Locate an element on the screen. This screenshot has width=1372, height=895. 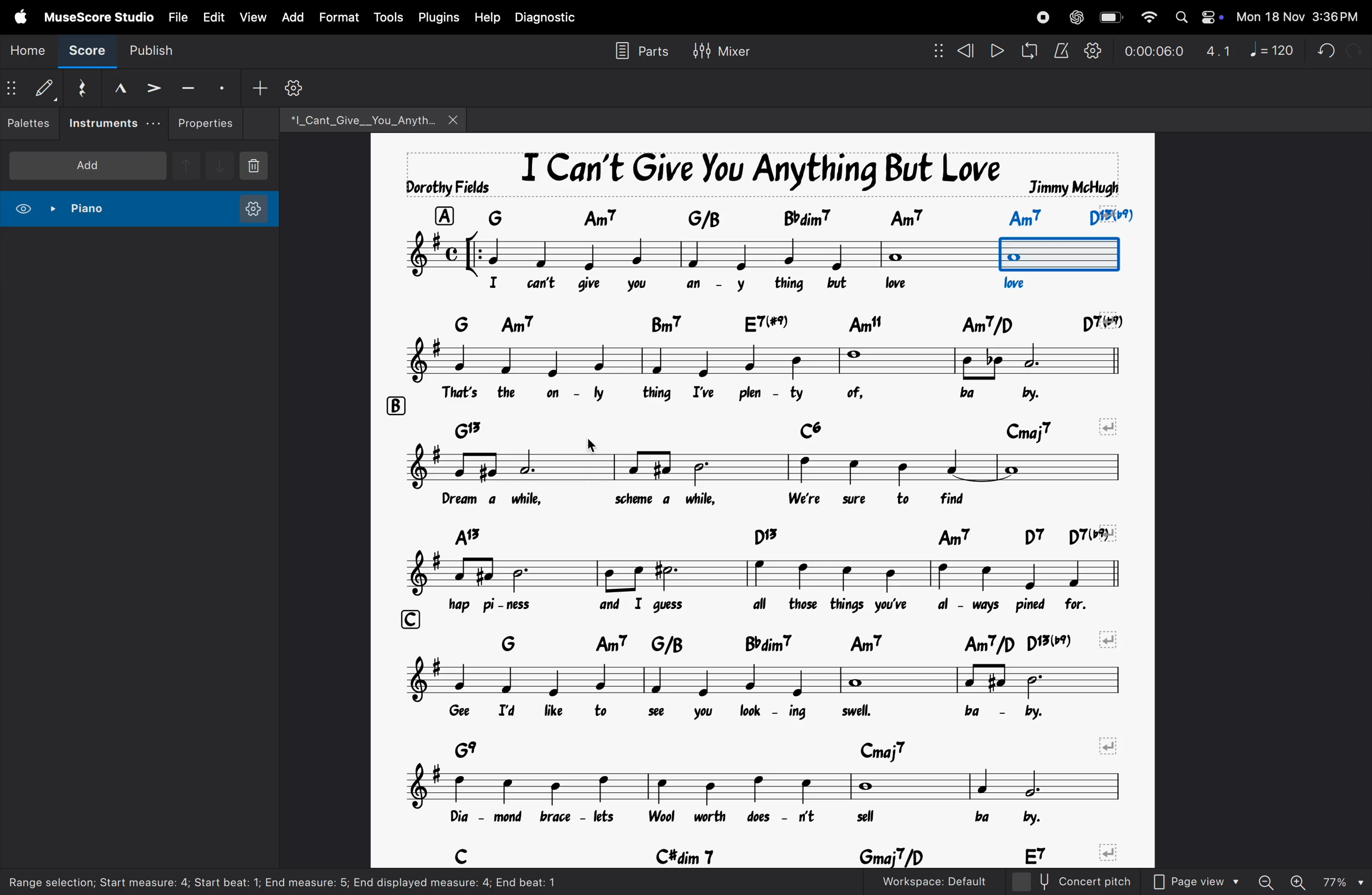
chatgpt is located at coordinates (1075, 18).